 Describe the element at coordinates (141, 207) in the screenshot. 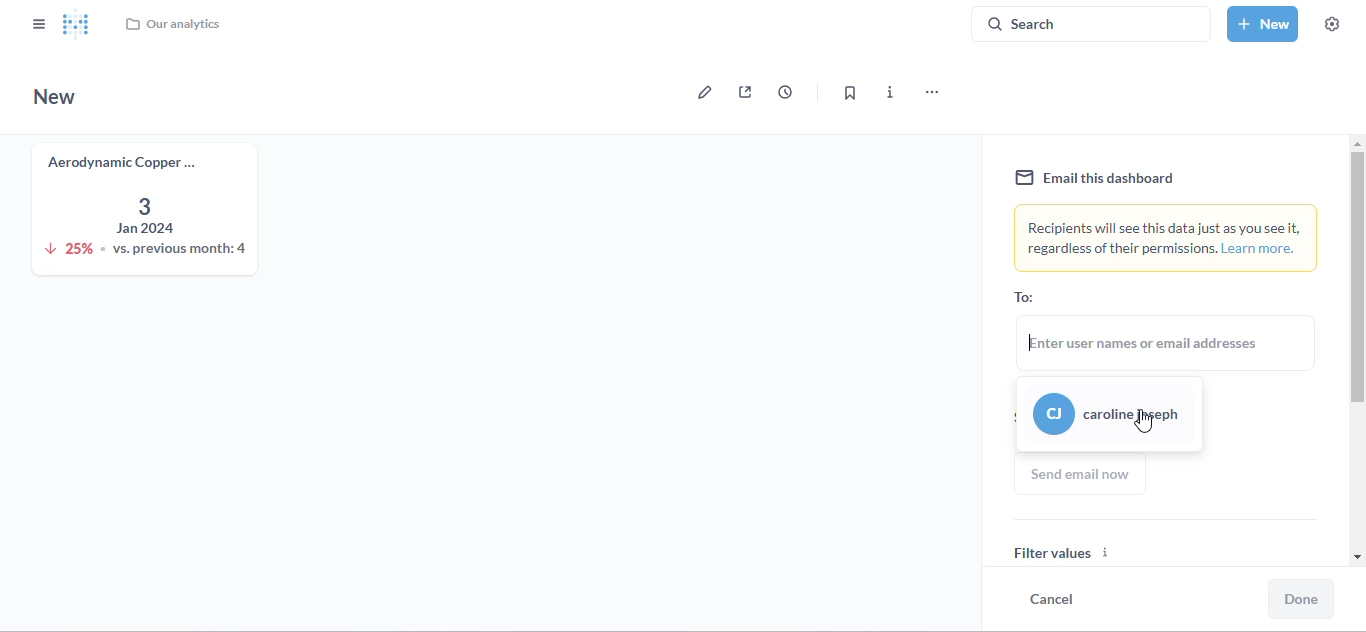

I see `aerodynamic copper knife trend` at that location.